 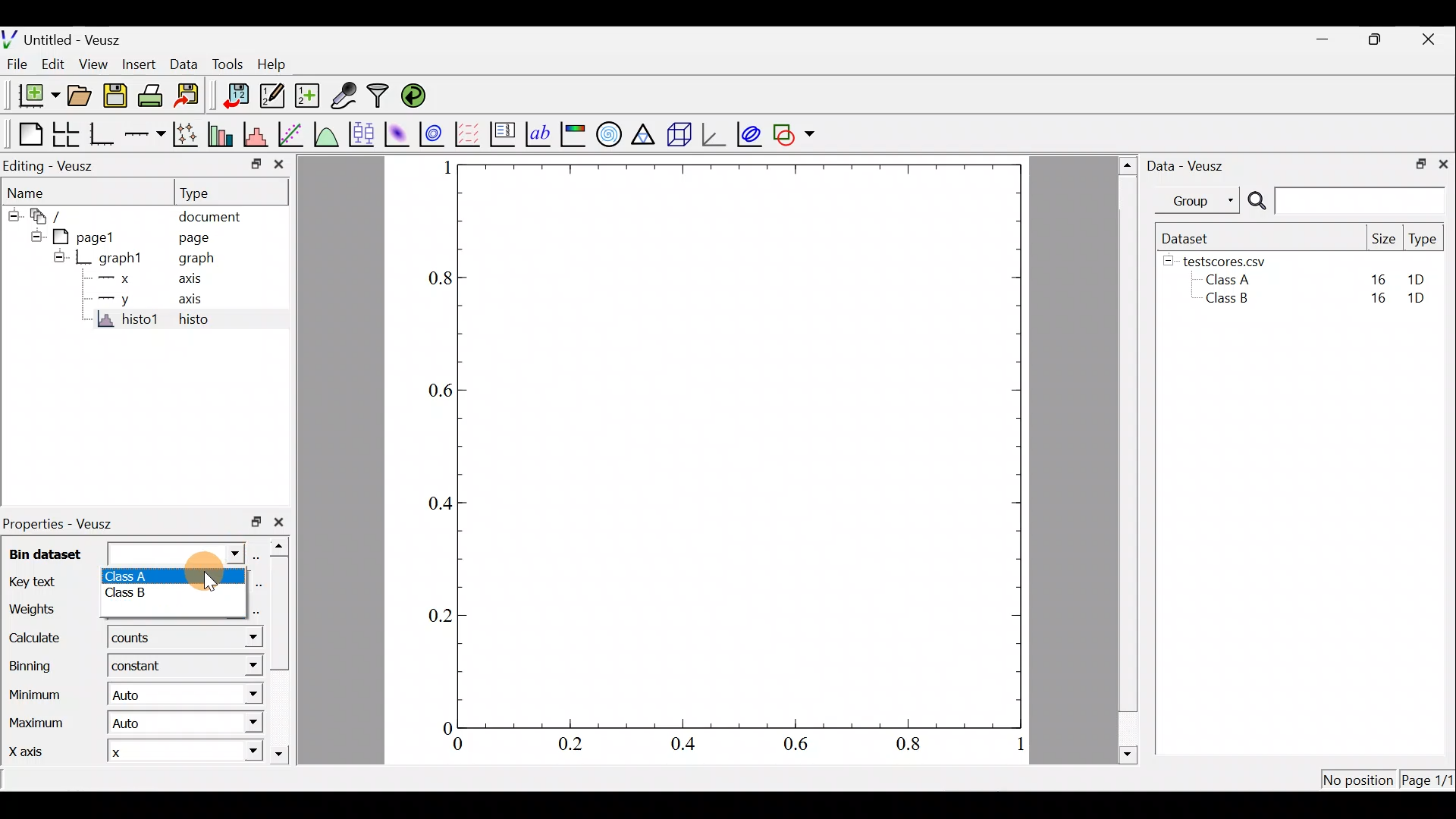 I want to click on Fit a function to data, so click(x=292, y=133).